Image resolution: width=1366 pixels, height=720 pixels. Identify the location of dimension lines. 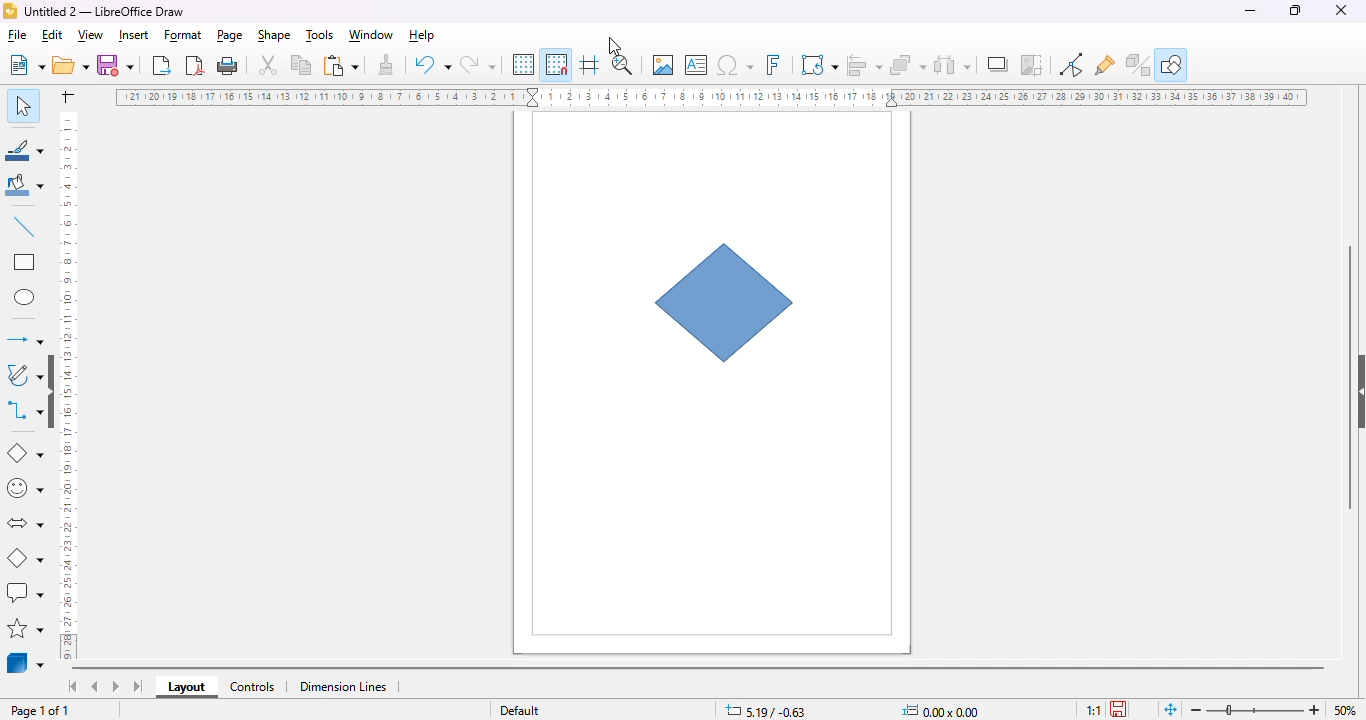
(343, 687).